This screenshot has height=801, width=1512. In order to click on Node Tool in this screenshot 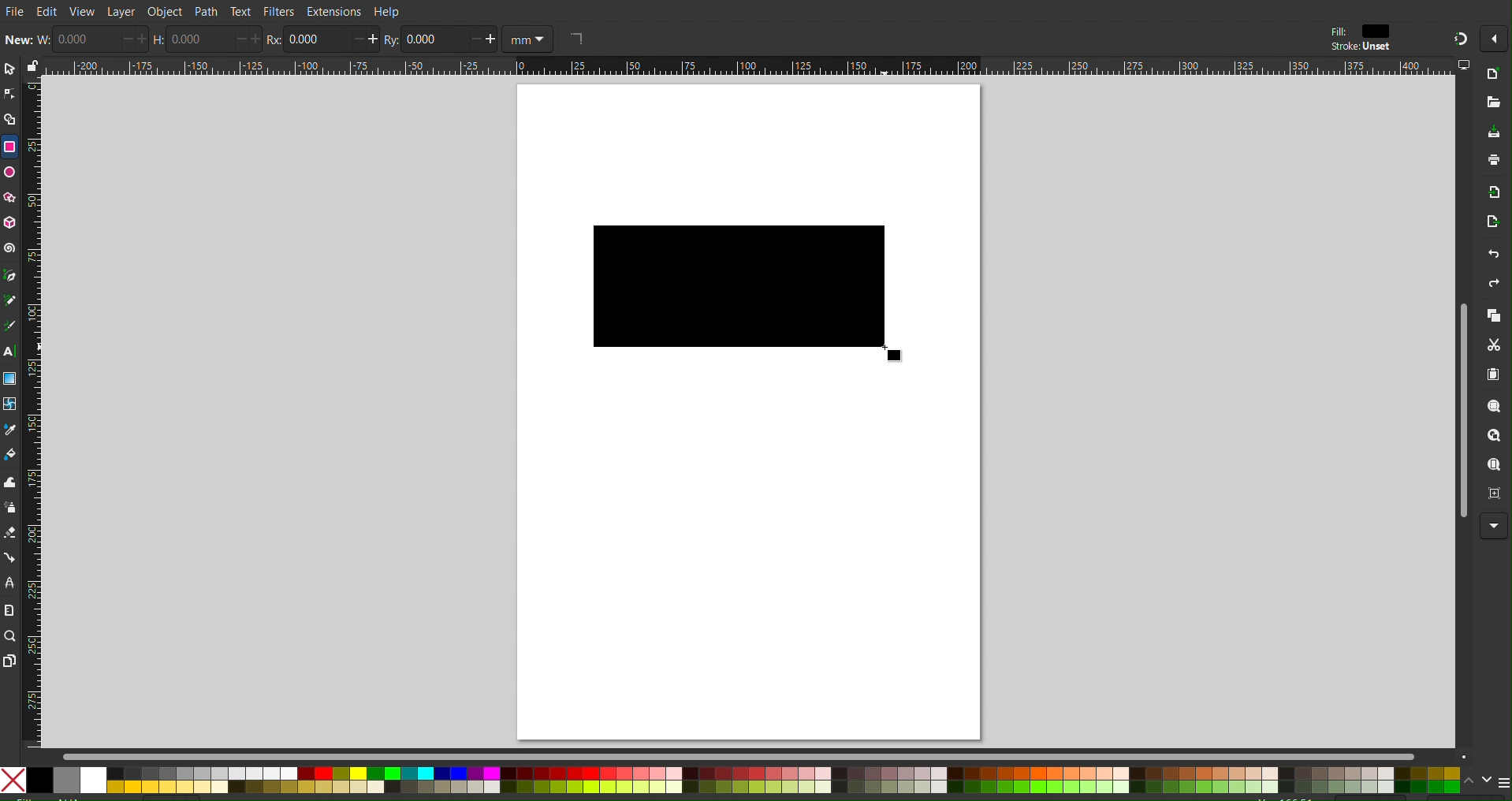, I will do `click(9, 91)`.